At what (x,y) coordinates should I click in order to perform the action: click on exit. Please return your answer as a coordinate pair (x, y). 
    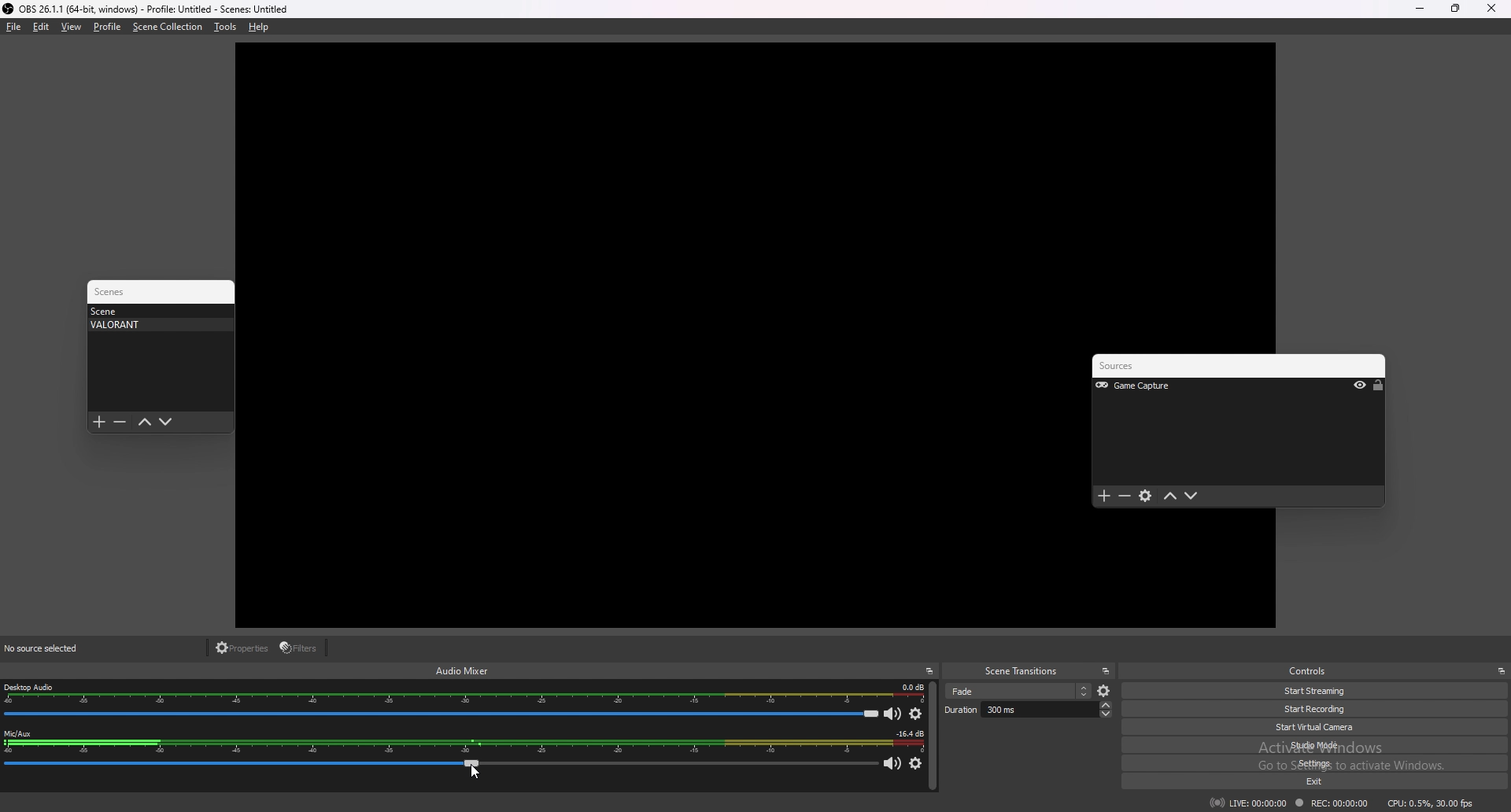
    Looking at the image, I should click on (1311, 780).